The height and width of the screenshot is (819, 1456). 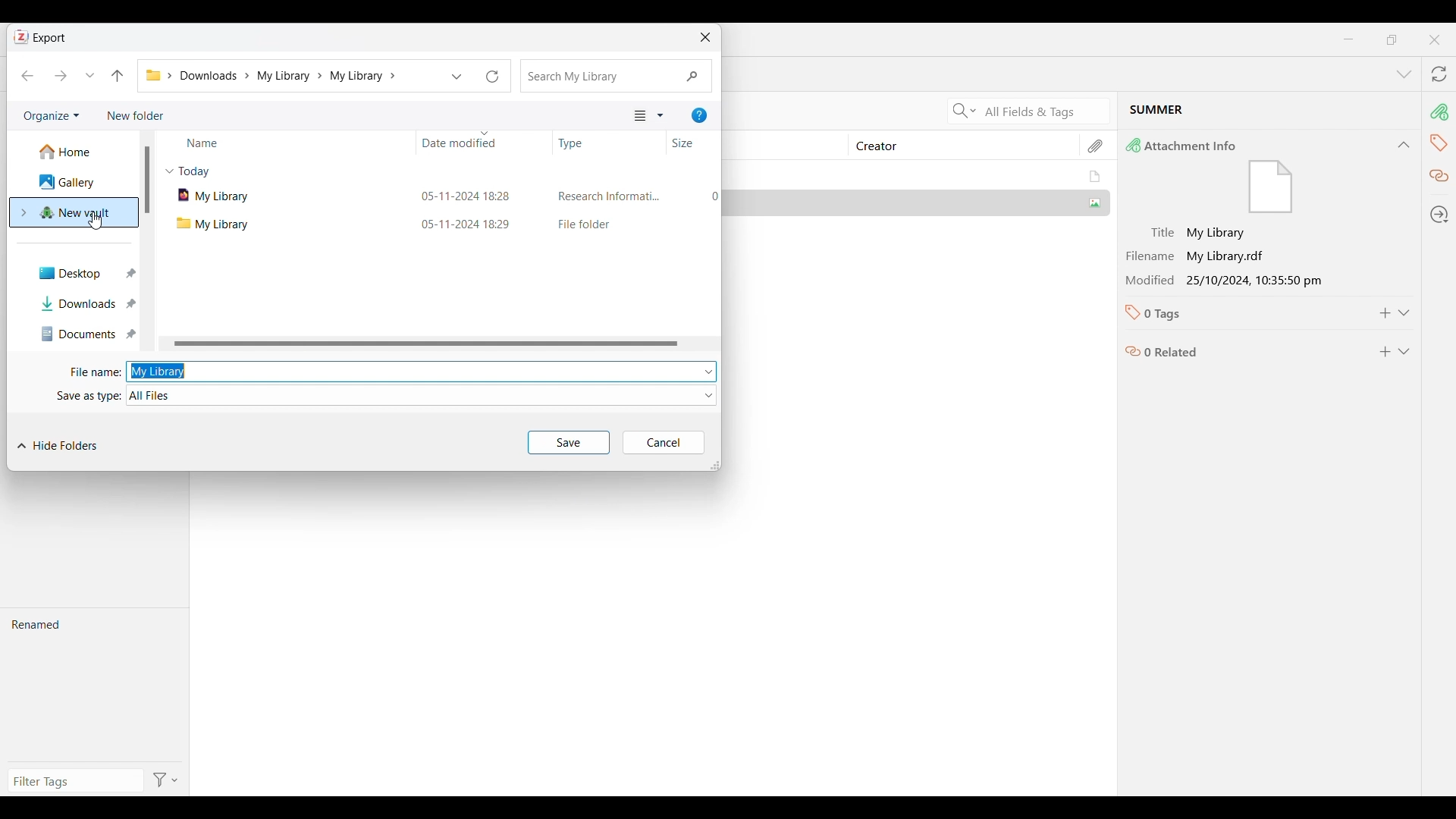 What do you see at coordinates (146, 180) in the screenshot?
I see `Vertical slide bar` at bounding box center [146, 180].